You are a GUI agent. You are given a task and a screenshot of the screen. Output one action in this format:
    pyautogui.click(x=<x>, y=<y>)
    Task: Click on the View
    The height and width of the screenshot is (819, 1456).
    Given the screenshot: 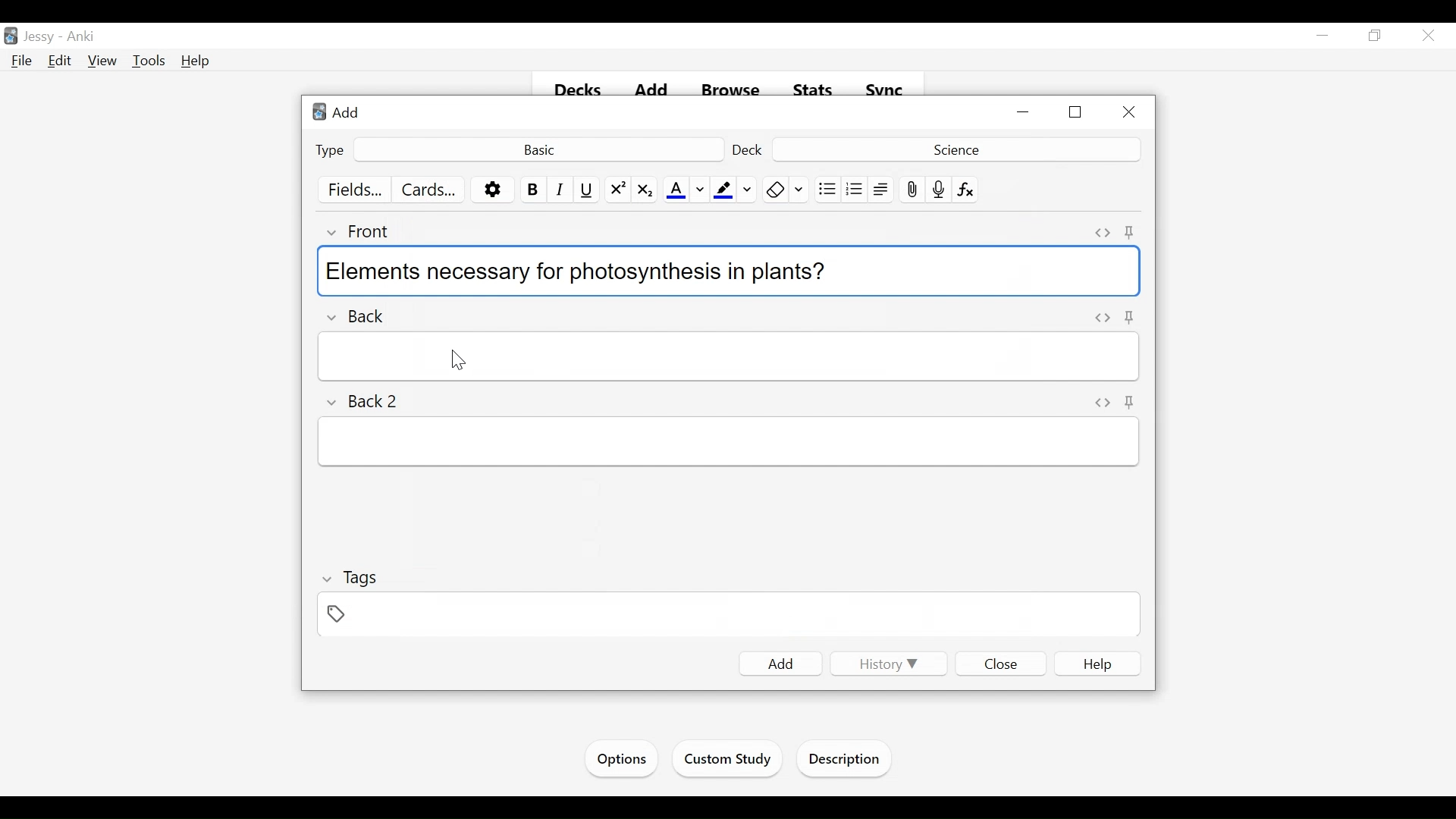 What is the action you would take?
    pyautogui.click(x=103, y=61)
    